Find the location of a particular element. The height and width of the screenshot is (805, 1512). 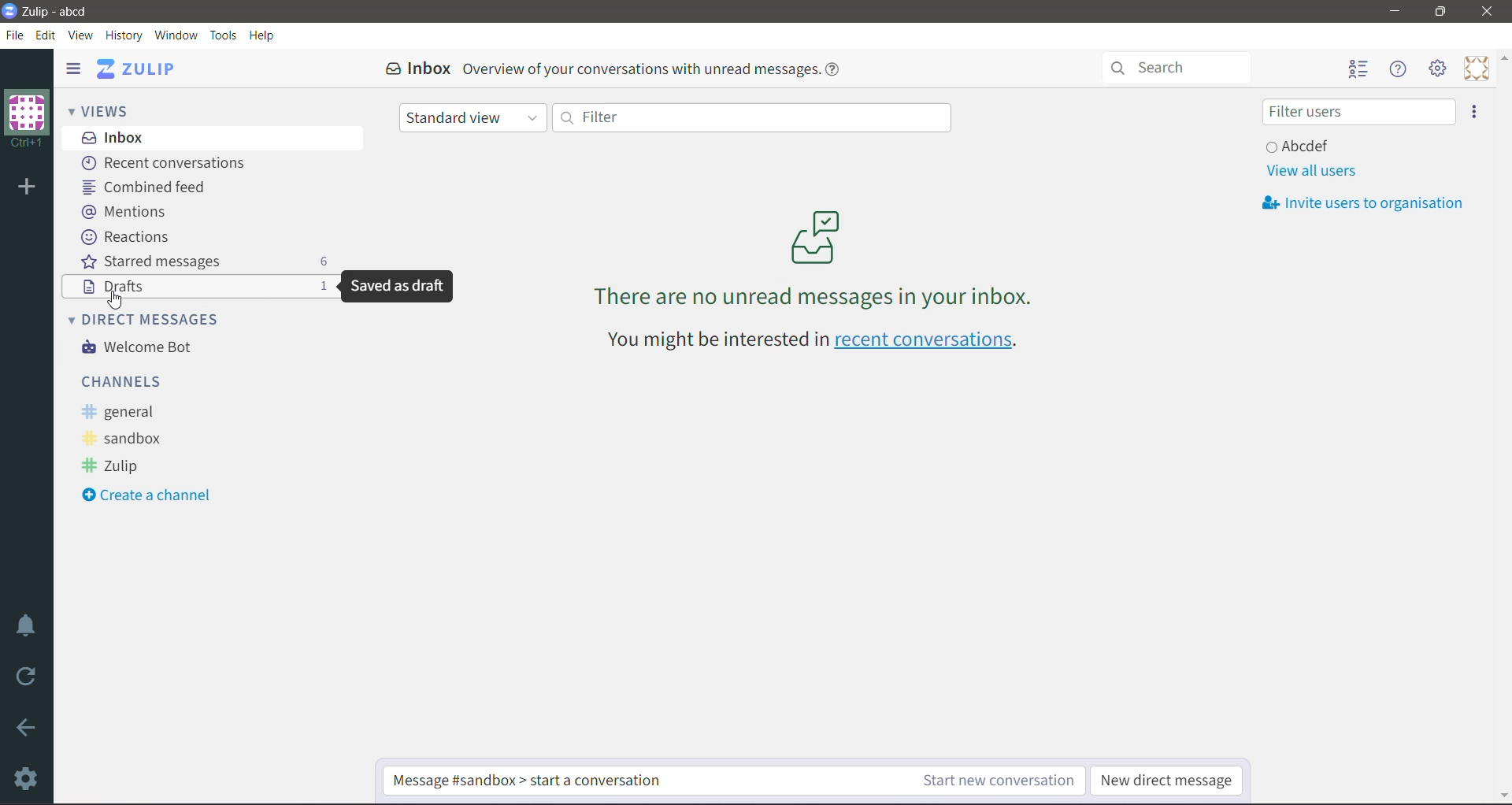

Application Name - Organization Name is located at coordinates (65, 11).